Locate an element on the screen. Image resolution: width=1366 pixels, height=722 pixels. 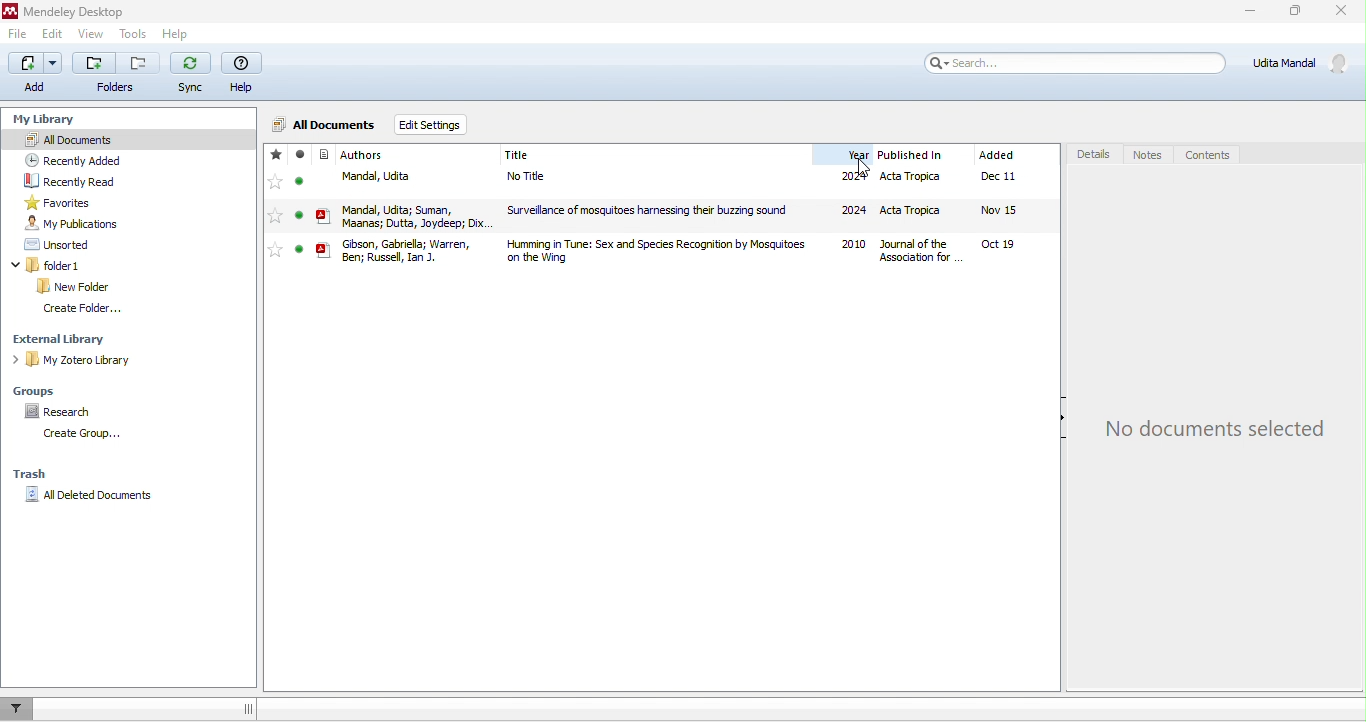
Mandal, Udita is located at coordinates (388, 177).